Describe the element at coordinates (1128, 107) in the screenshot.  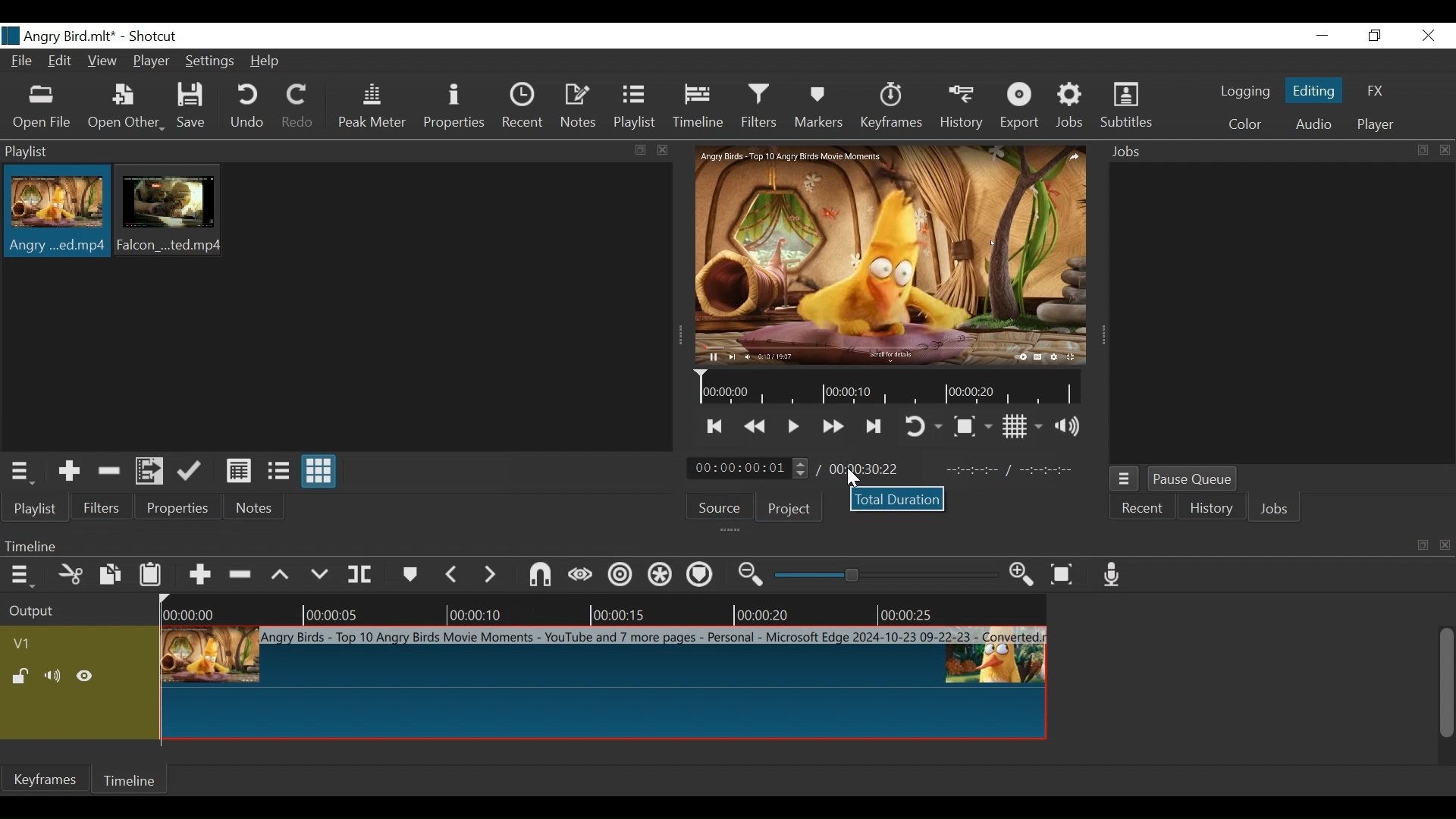
I see `Subtitles` at that location.